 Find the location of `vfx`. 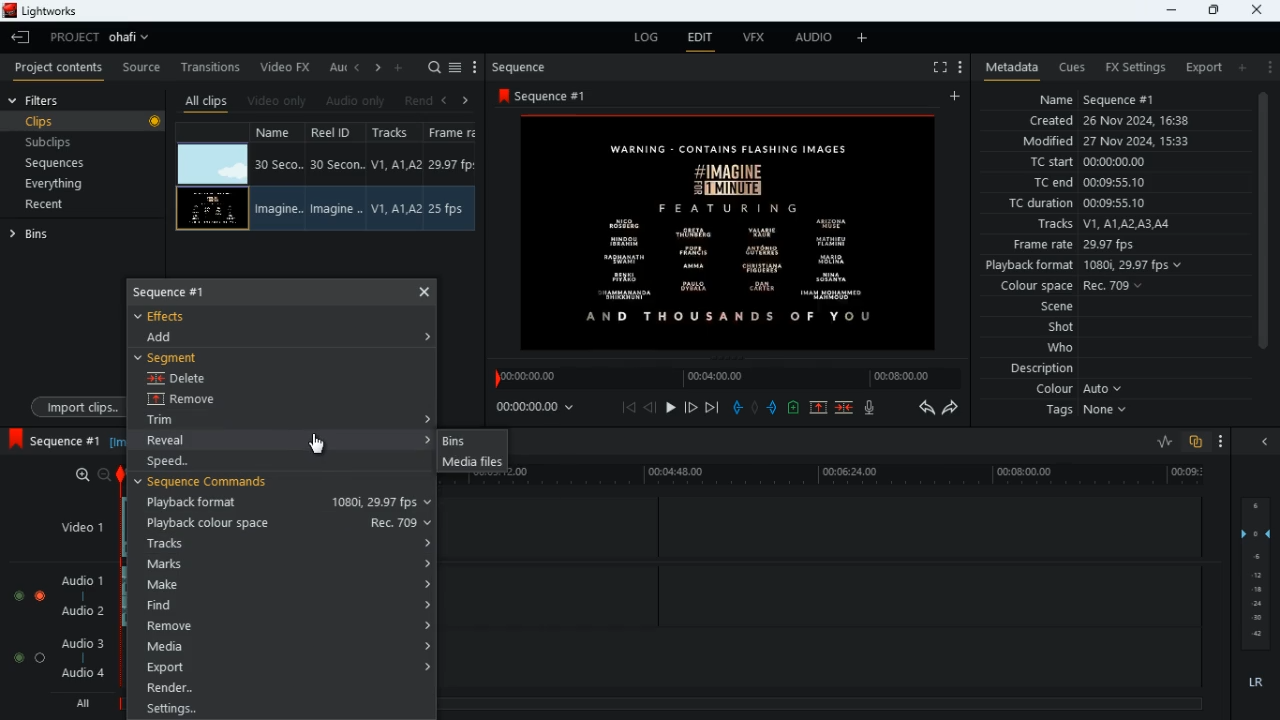

vfx is located at coordinates (760, 41).